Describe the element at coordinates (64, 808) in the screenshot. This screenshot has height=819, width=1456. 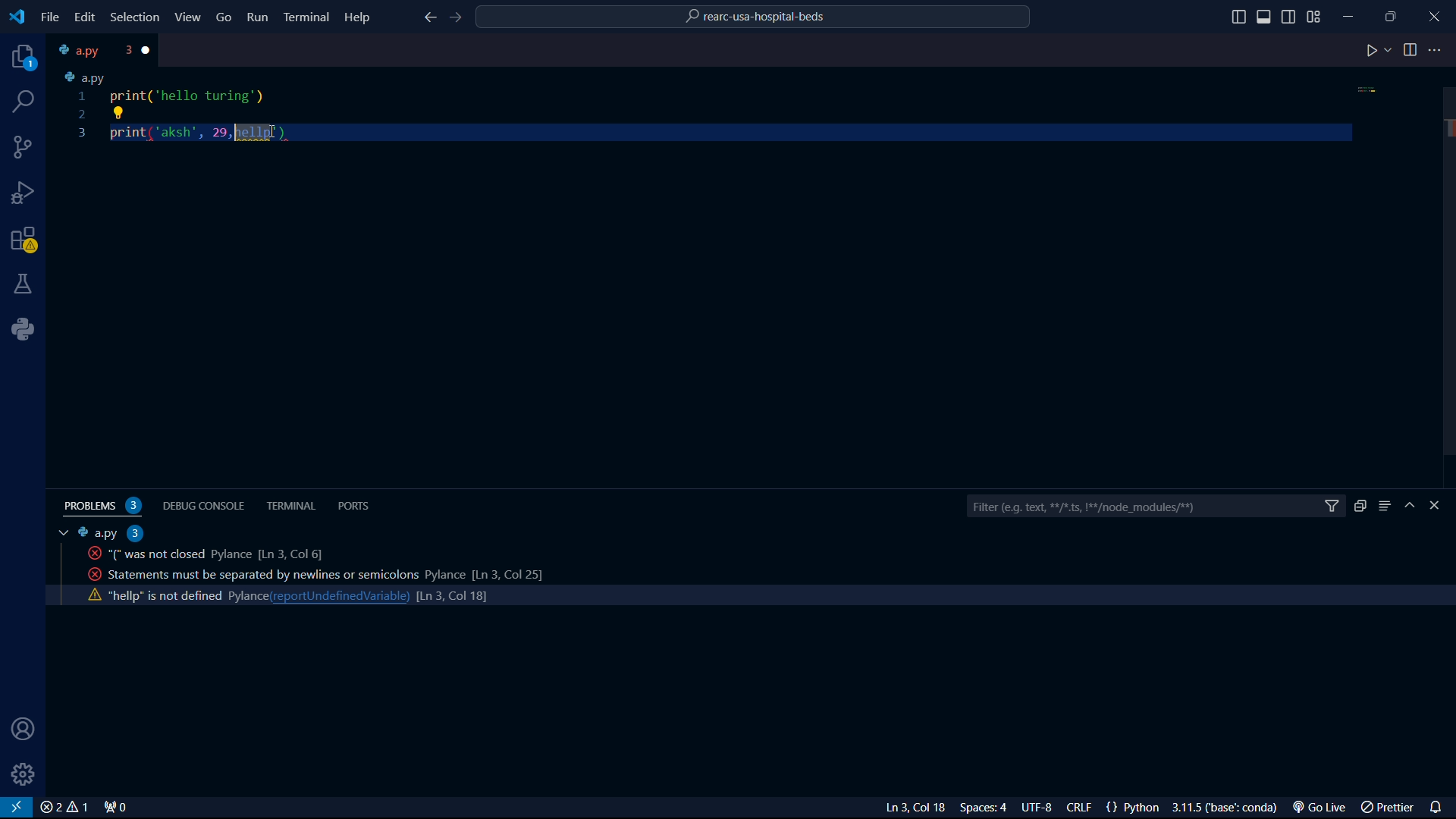
I see `close` at that location.